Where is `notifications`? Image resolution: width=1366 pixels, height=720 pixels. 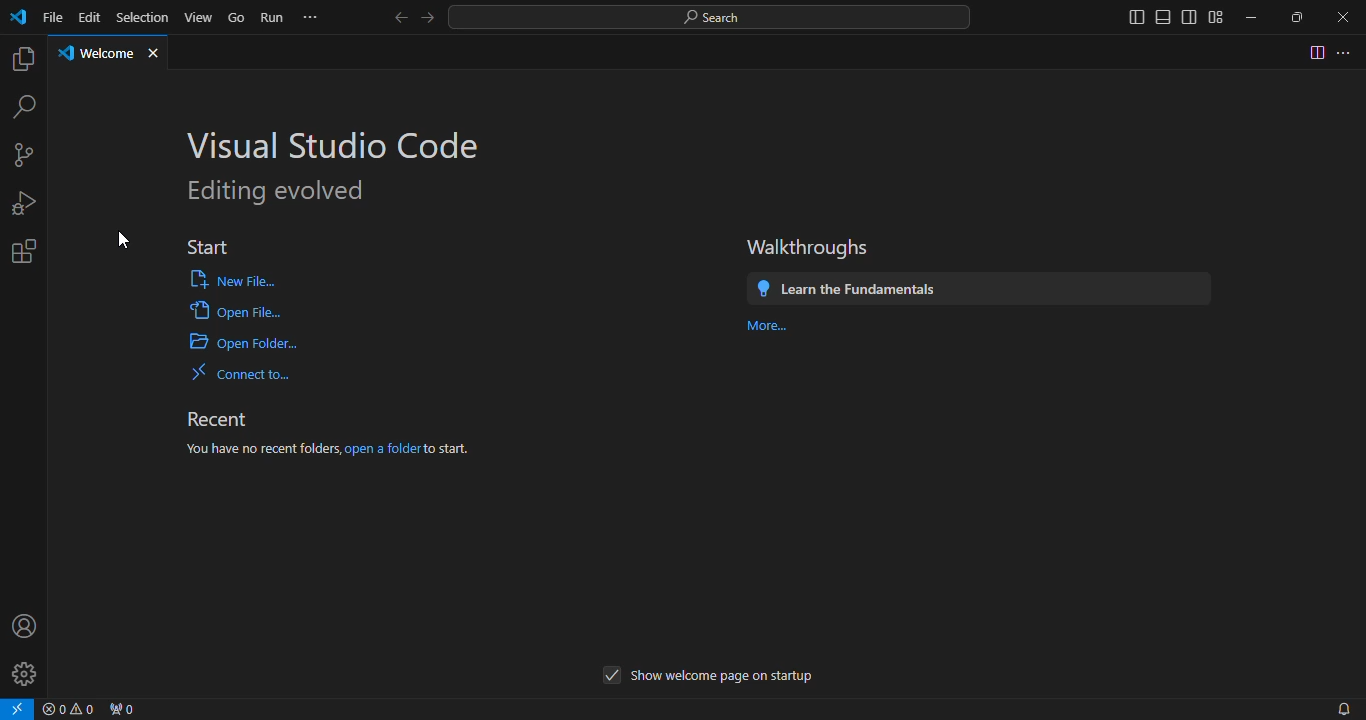 notifications is located at coordinates (1341, 707).